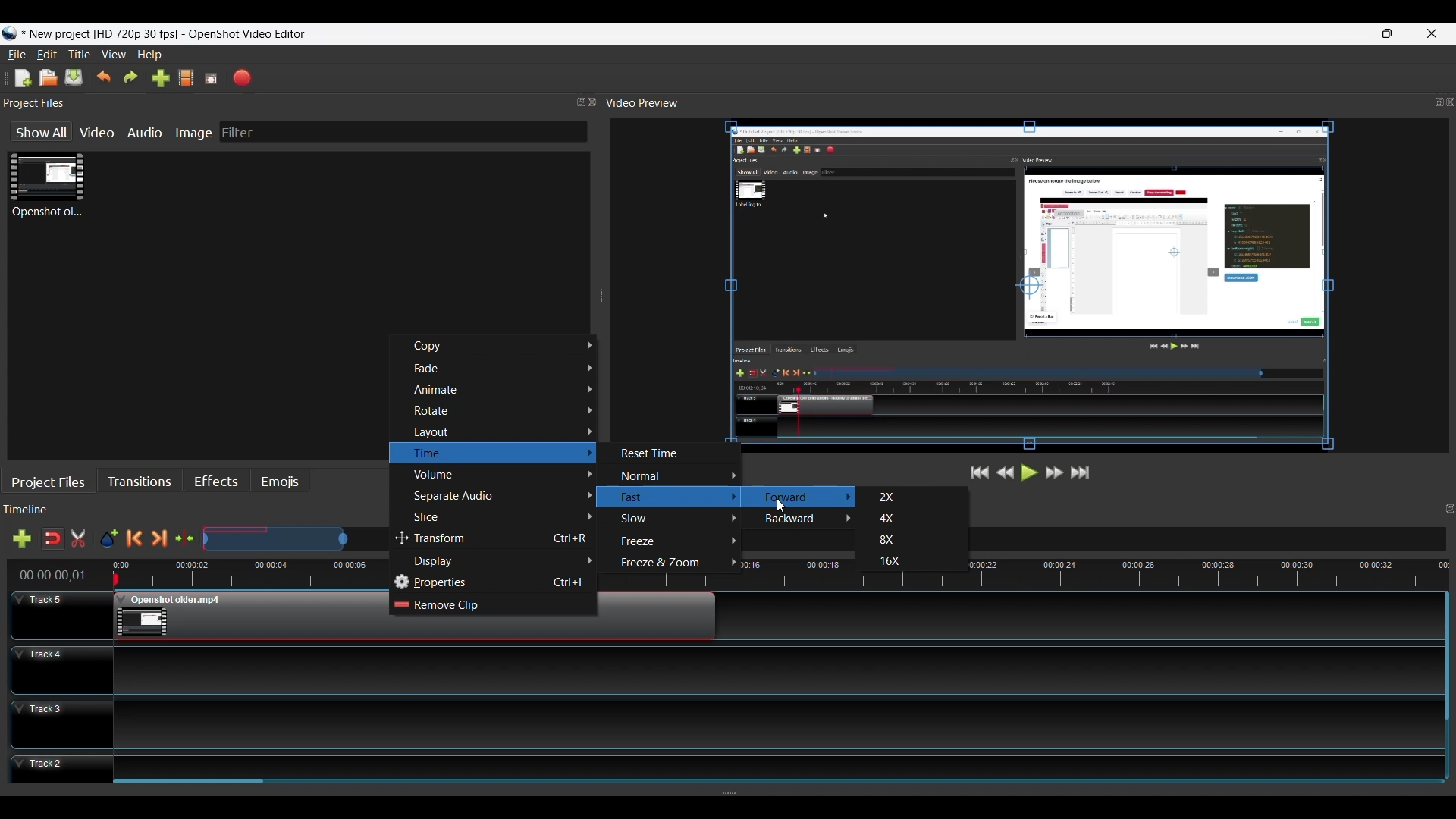  Describe the element at coordinates (673, 563) in the screenshot. I see `Freeze & Zoom` at that location.